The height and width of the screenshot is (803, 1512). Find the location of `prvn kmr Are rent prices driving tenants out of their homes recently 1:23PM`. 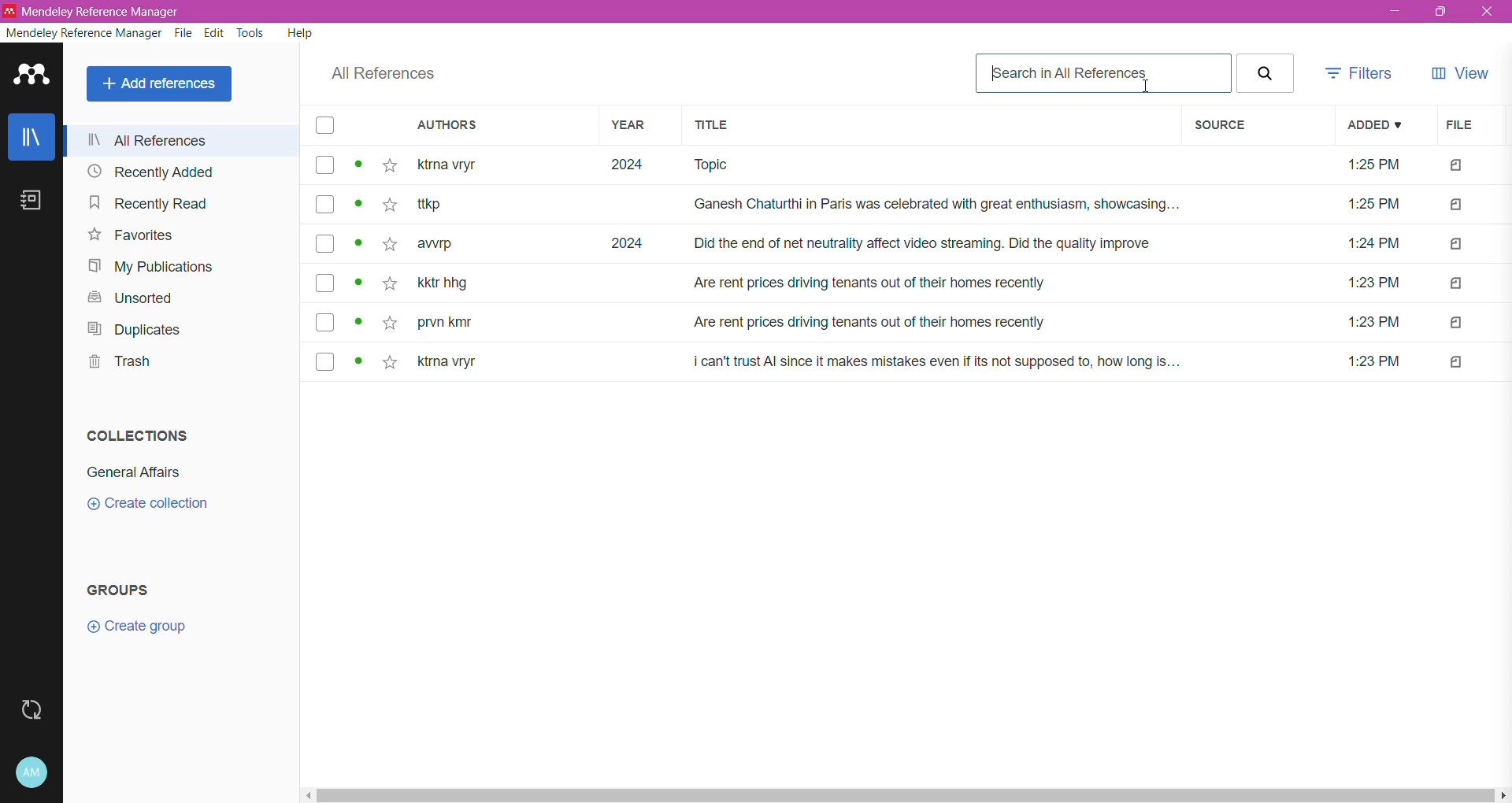

prvn kmr Are rent prices driving tenants out of their homes recently 1:23PM is located at coordinates (917, 324).